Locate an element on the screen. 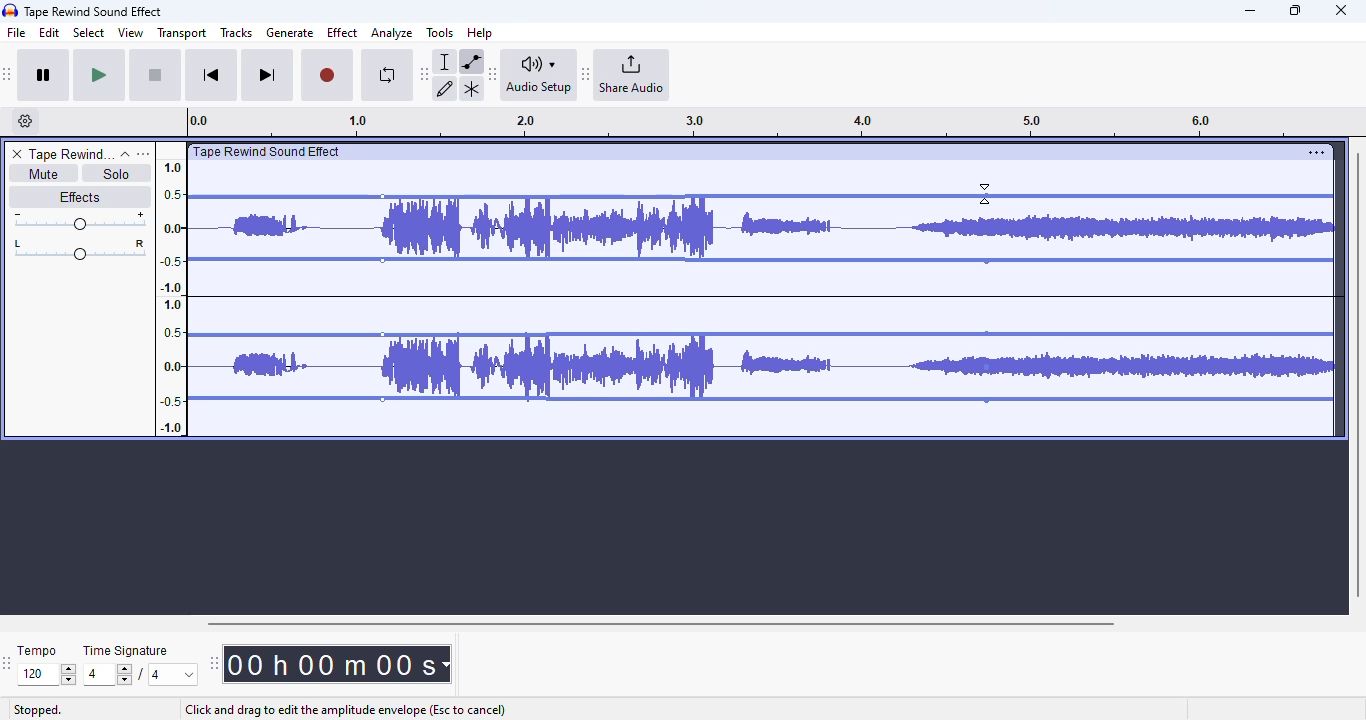 This screenshot has height=720, width=1366. Control point is located at coordinates (987, 367).